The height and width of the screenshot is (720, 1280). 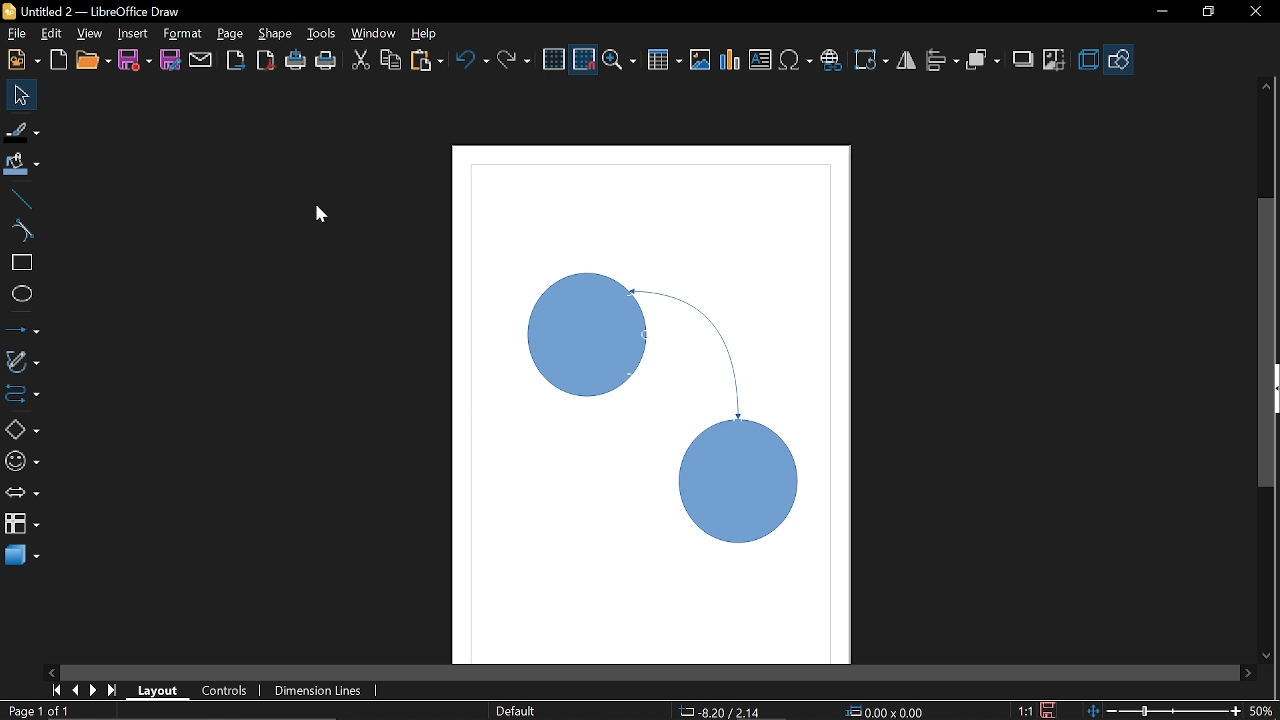 What do you see at coordinates (700, 60) in the screenshot?
I see `Insert image` at bounding box center [700, 60].